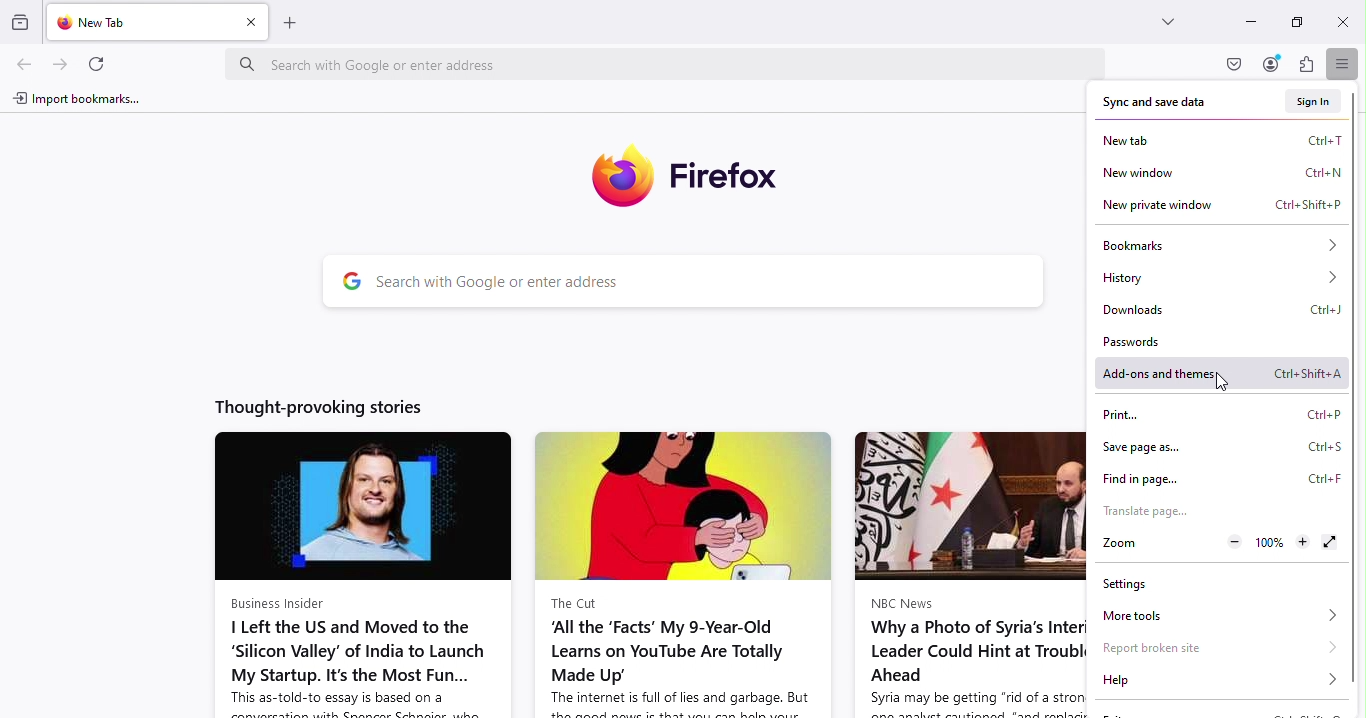 This screenshot has width=1366, height=718. Describe the element at coordinates (1216, 482) in the screenshot. I see `Find in page` at that location.